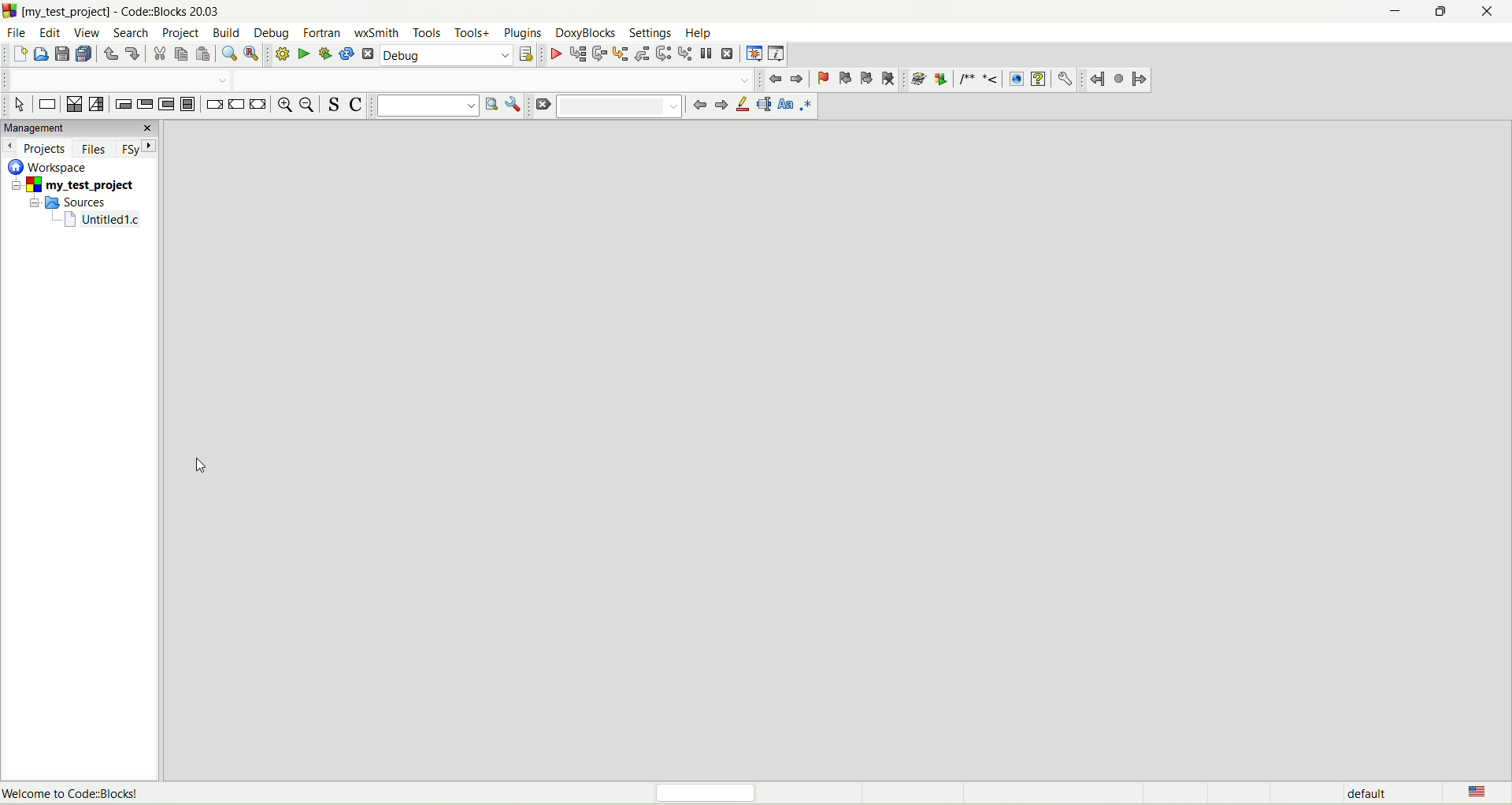  What do you see at coordinates (180, 54) in the screenshot?
I see `copy` at bounding box center [180, 54].